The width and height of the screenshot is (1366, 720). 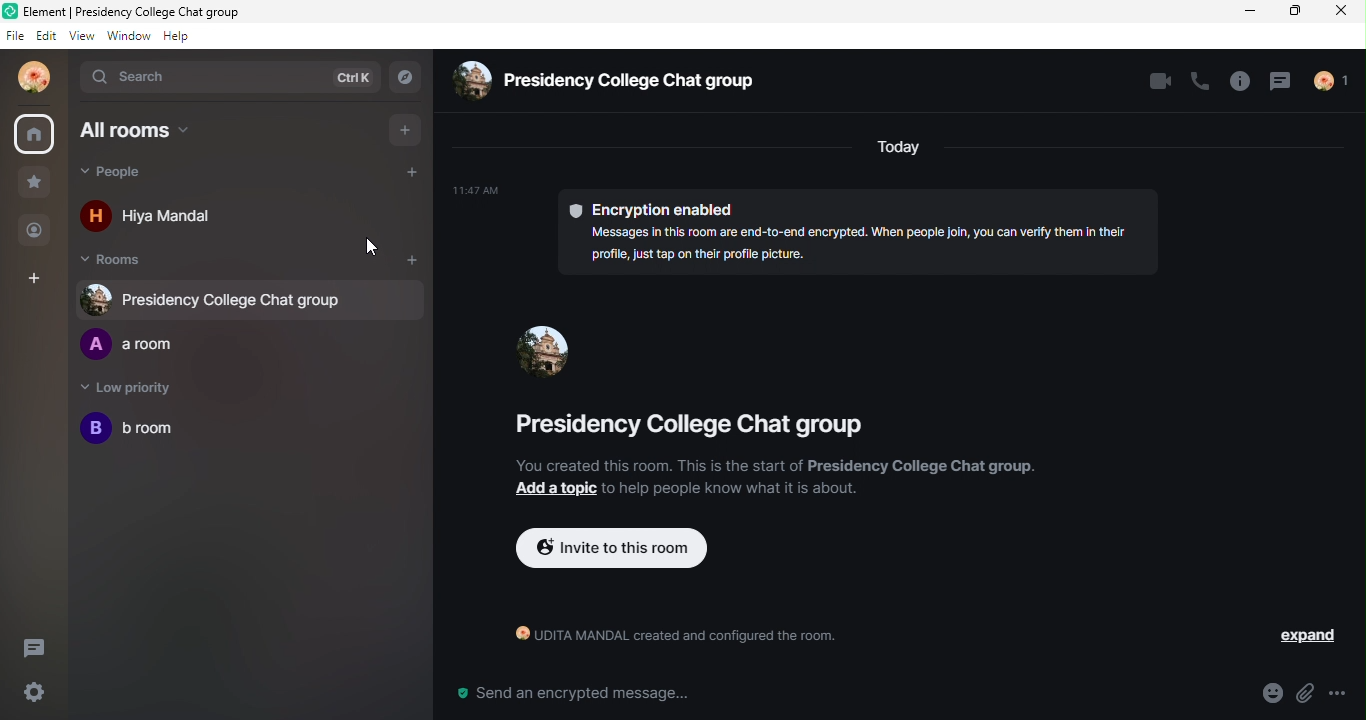 What do you see at coordinates (409, 76) in the screenshot?
I see `explore` at bounding box center [409, 76].